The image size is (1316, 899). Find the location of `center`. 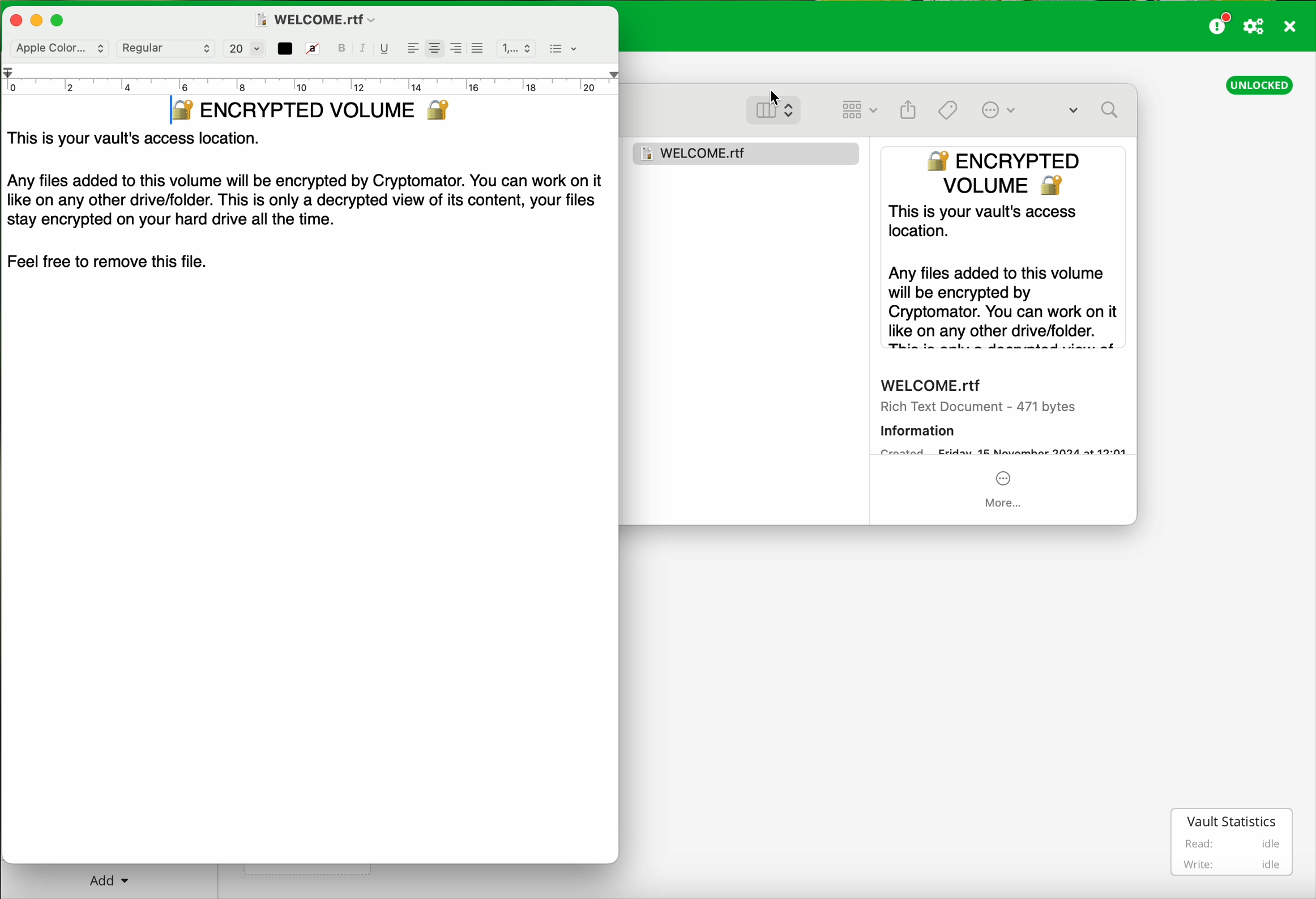

center is located at coordinates (433, 44).